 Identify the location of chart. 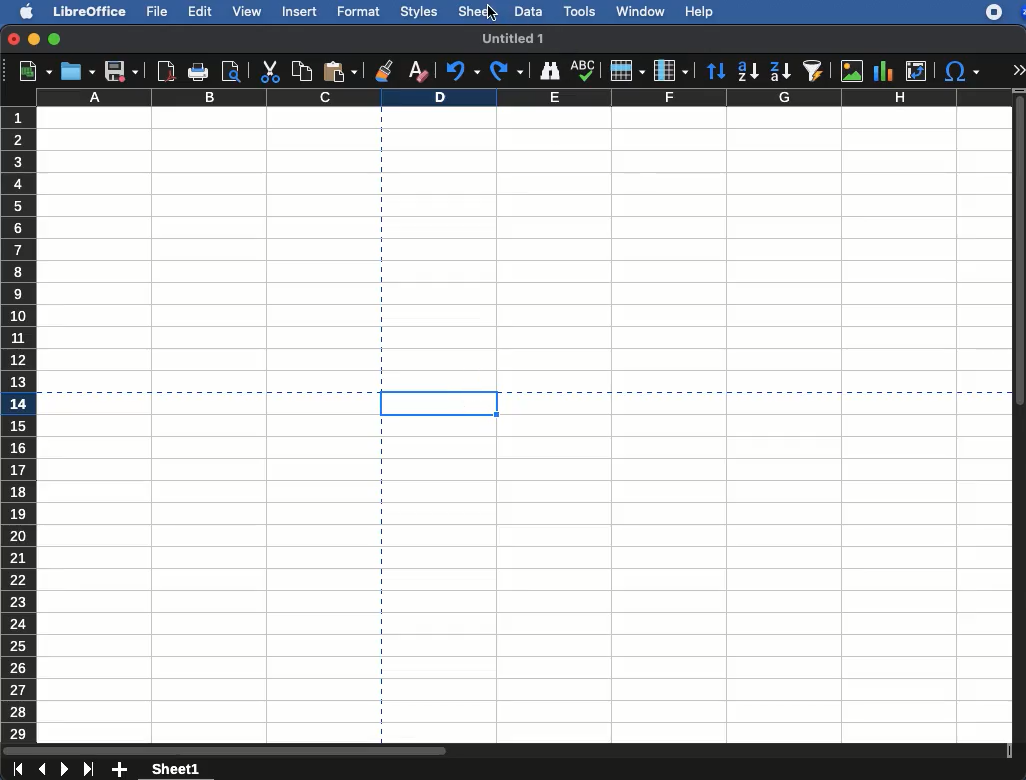
(884, 72).